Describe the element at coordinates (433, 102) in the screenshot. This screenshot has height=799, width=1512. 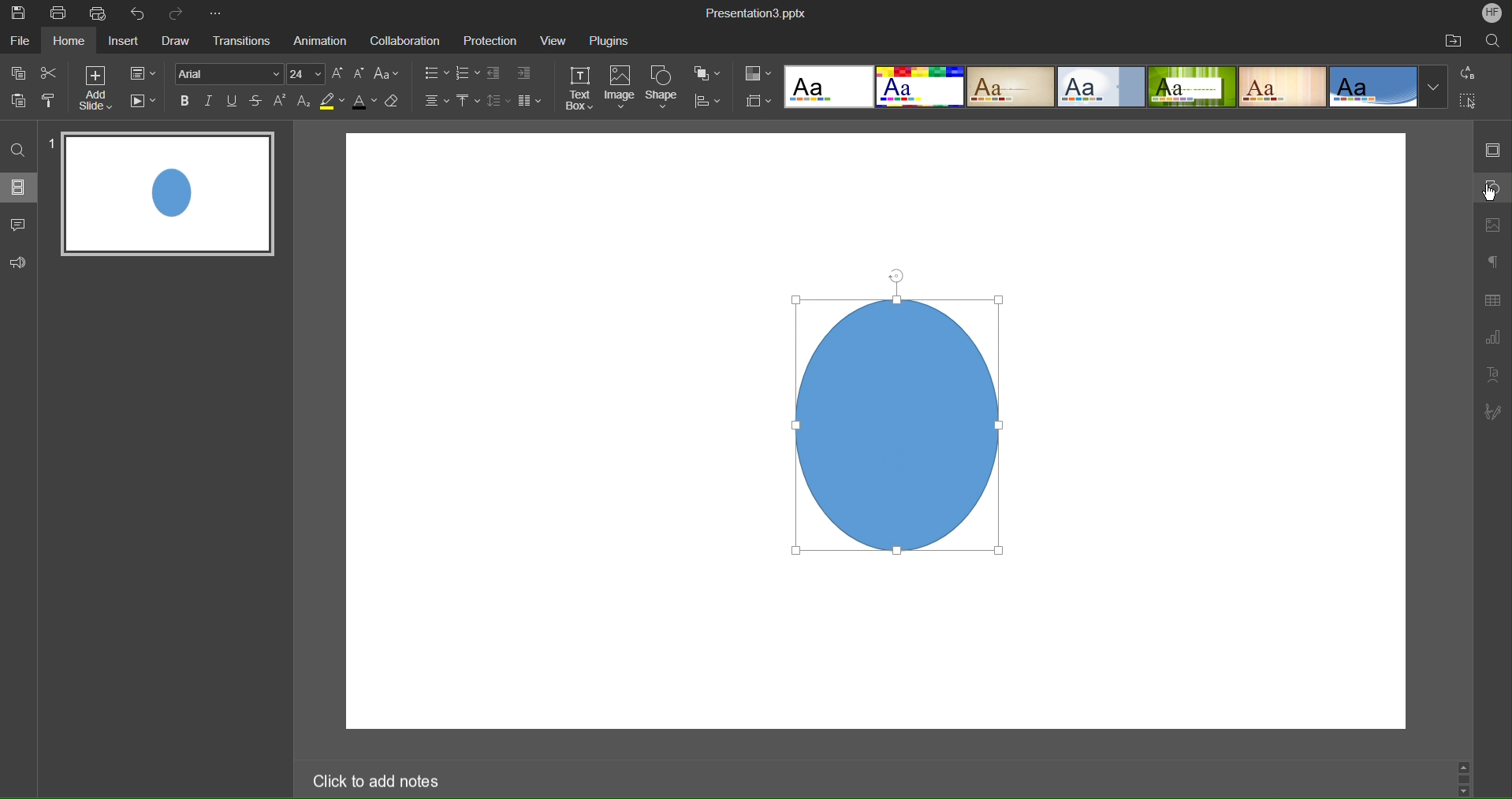
I see `Alignment` at that location.